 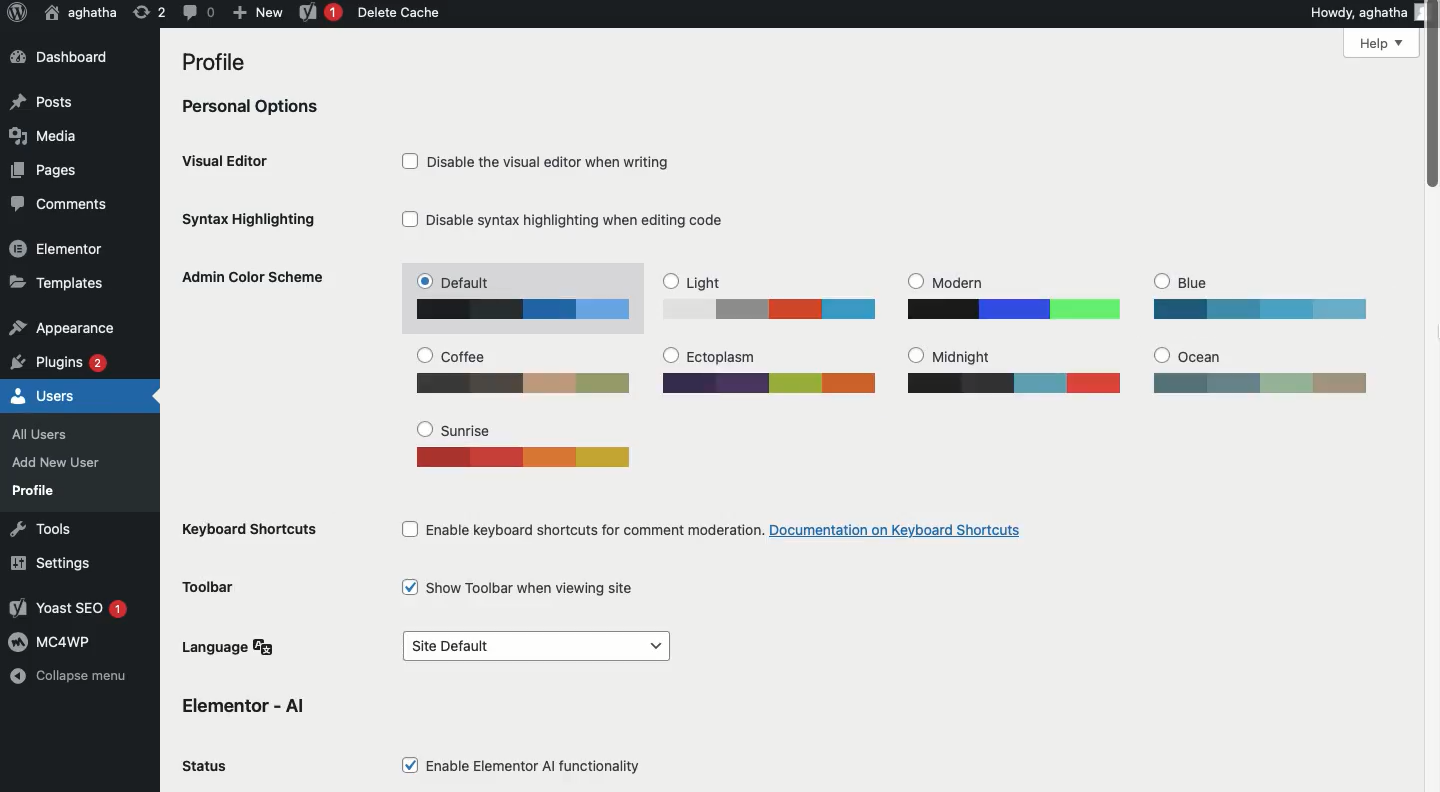 What do you see at coordinates (34, 490) in the screenshot?
I see `Profile` at bounding box center [34, 490].